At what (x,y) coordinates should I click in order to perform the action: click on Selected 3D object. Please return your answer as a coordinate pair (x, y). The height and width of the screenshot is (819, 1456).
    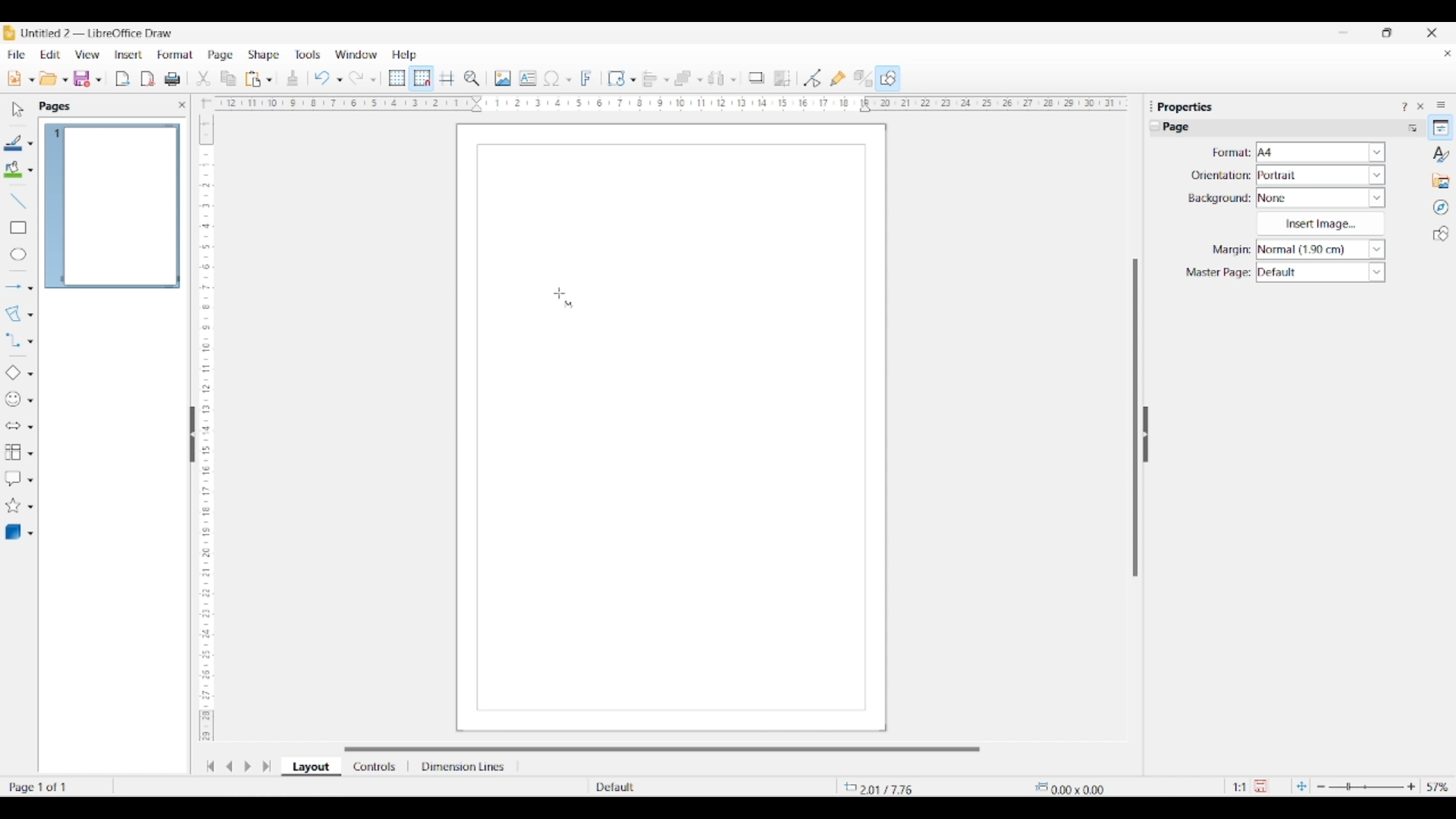
    Looking at the image, I should click on (13, 532).